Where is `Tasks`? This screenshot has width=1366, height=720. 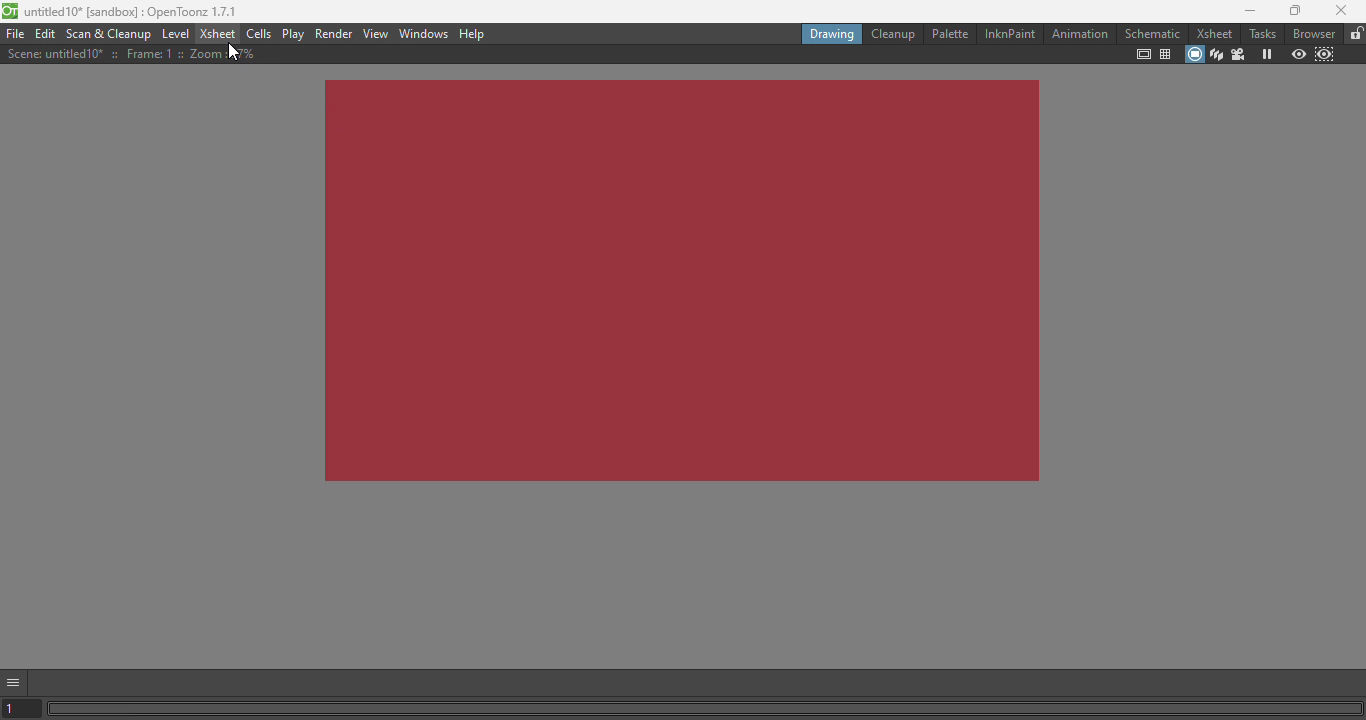 Tasks is located at coordinates (1258, 32).